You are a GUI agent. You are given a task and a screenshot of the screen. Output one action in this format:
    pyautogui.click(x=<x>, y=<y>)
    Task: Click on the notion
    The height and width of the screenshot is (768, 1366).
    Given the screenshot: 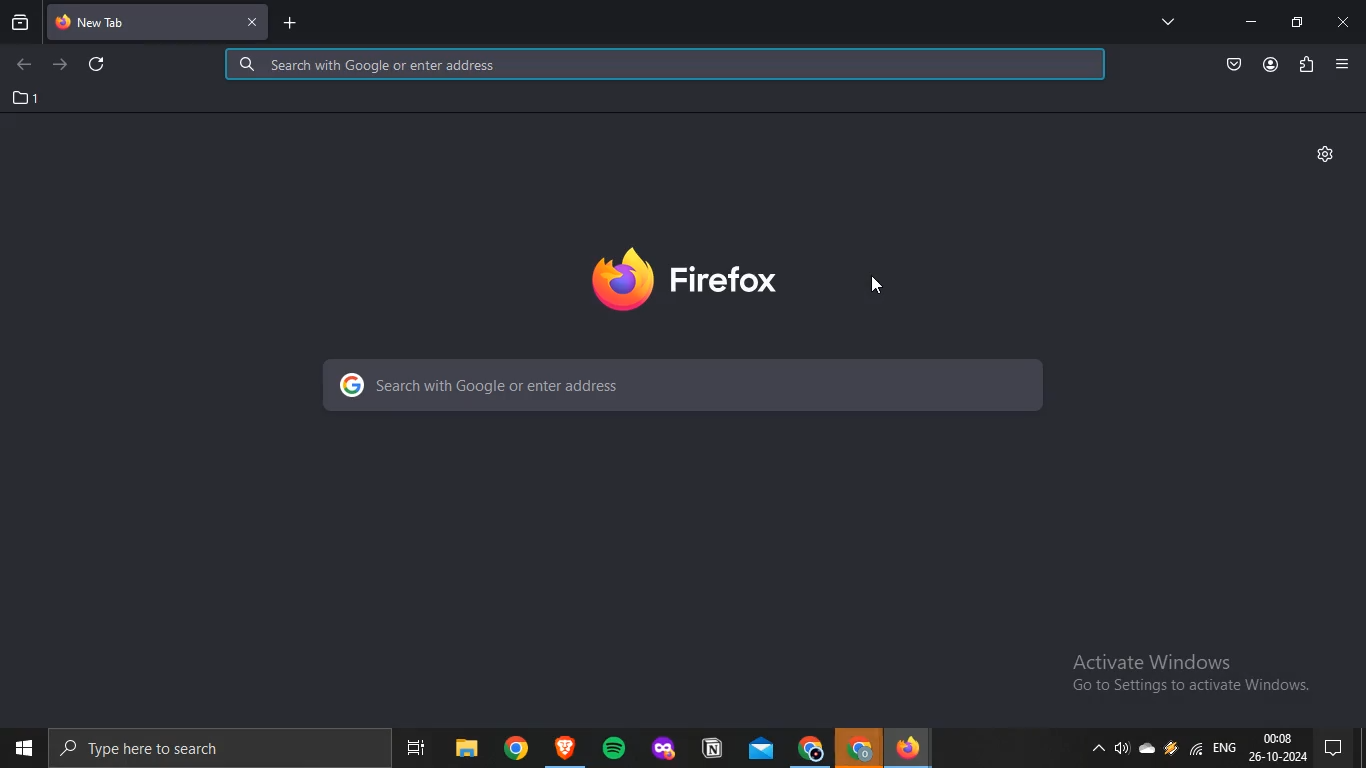 What is the action you would take?
    pyautogui.click(x=709, y=745)
    